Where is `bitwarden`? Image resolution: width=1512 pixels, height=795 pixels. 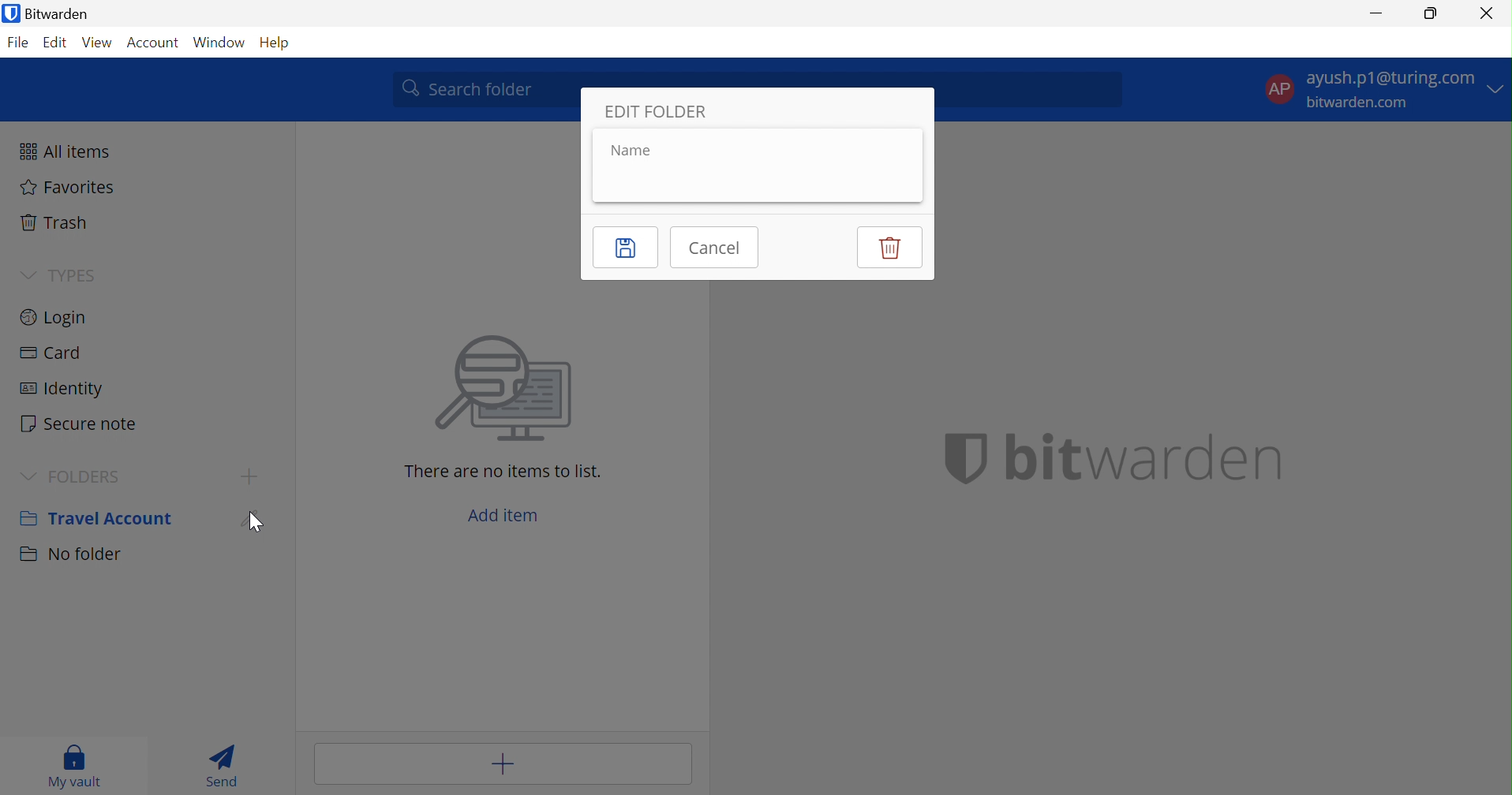
bitwarden is located at coordinates (1142, 457).